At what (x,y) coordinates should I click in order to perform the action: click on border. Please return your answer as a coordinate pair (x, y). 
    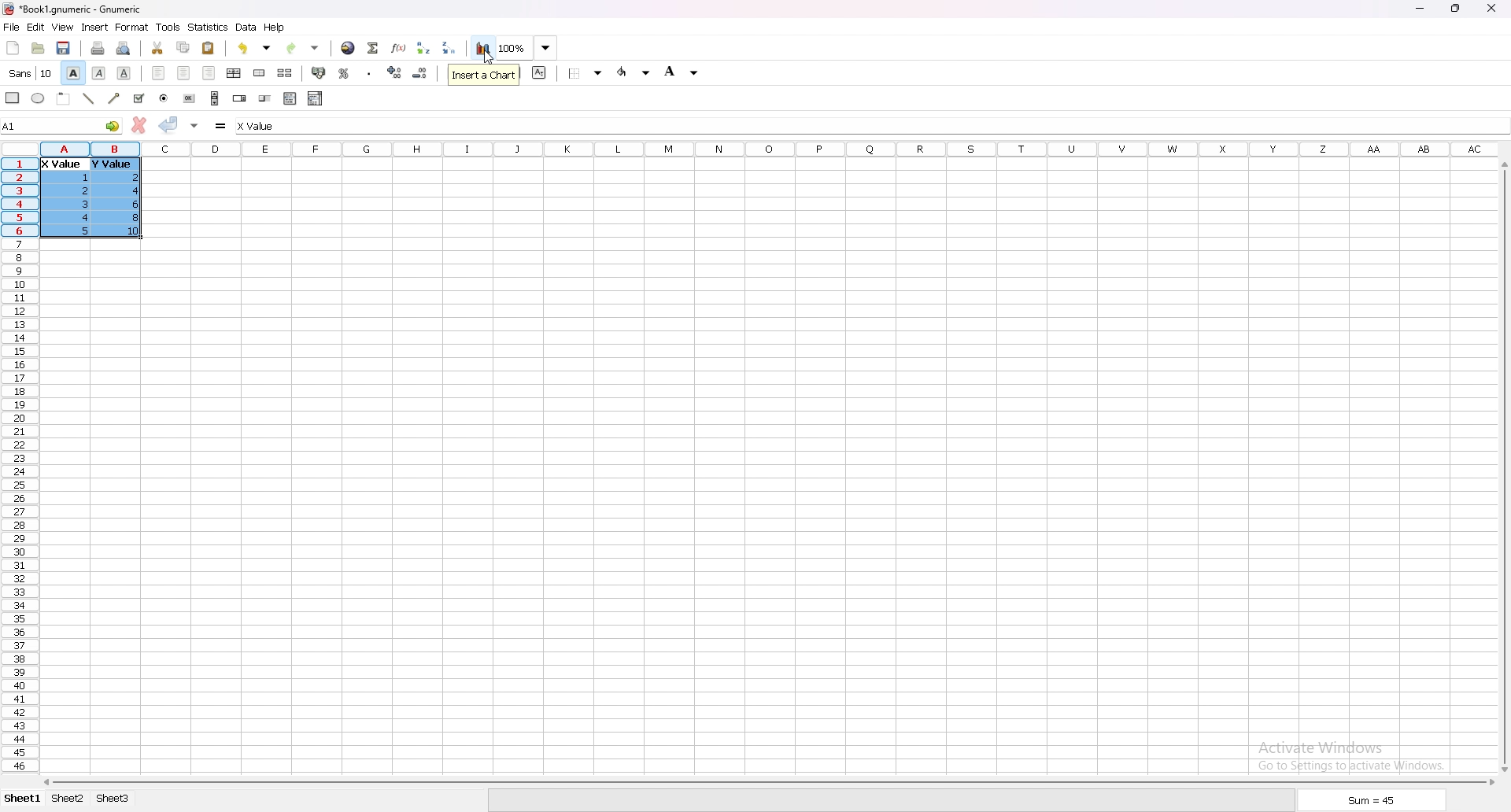
    Looking at the image, I should click on (587, 72).